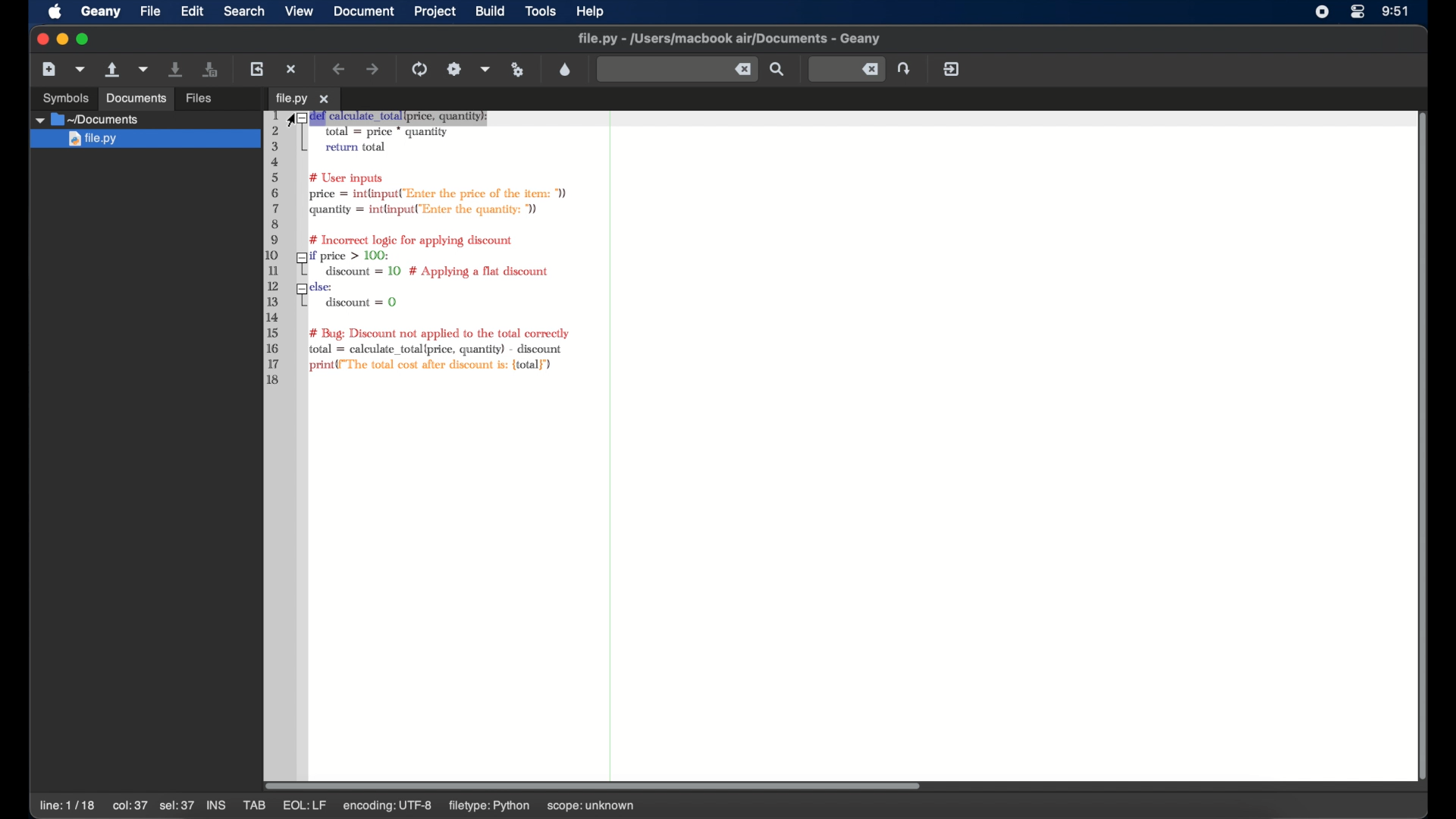 The image size is (1456, 819). What do you see at coordinates (566, 70) in the screenshot?
I see `color chooser dialog` at bounding box center [566, 70].